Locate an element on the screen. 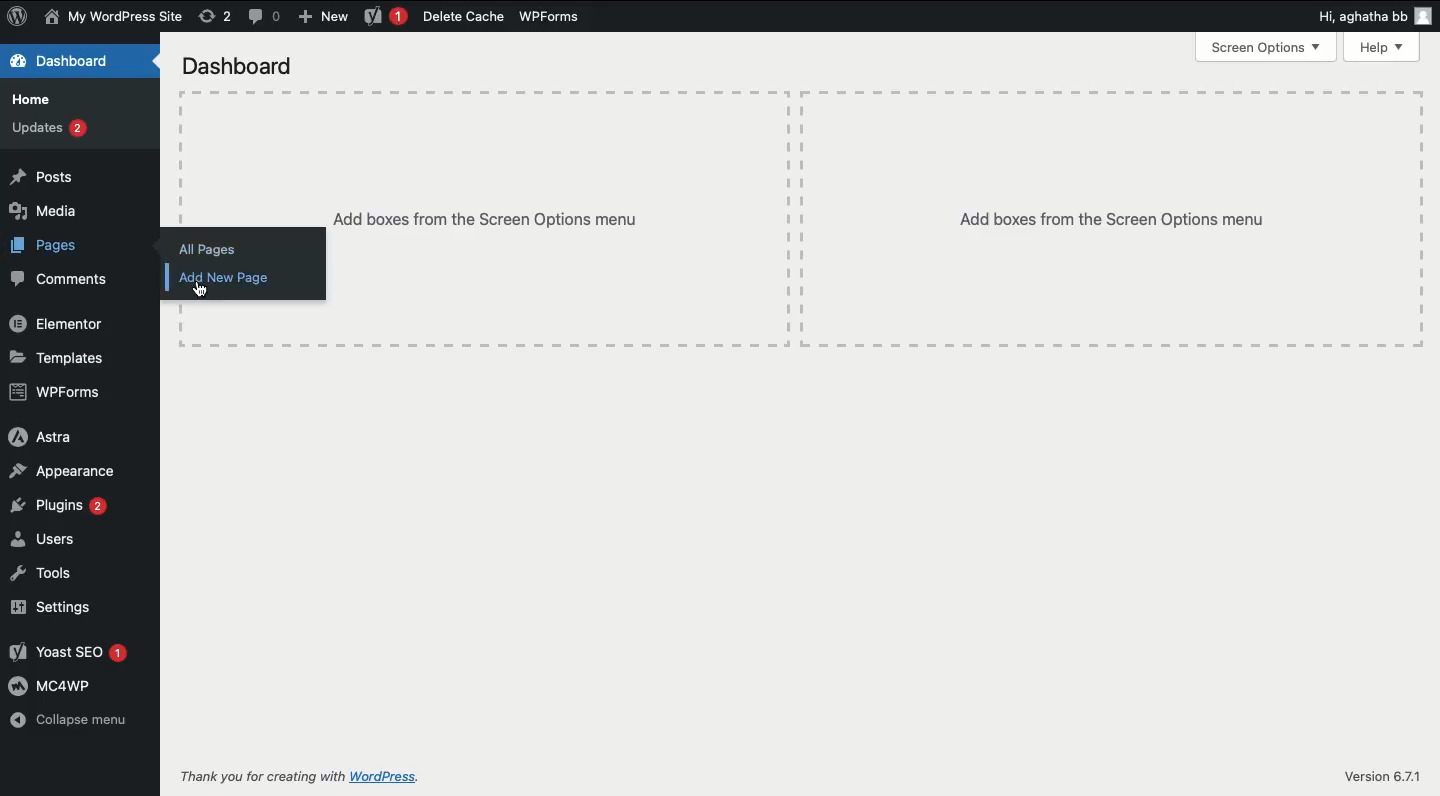 This screenshot has height=796, width=1440. Add new page is located at coordinates (228, 272).